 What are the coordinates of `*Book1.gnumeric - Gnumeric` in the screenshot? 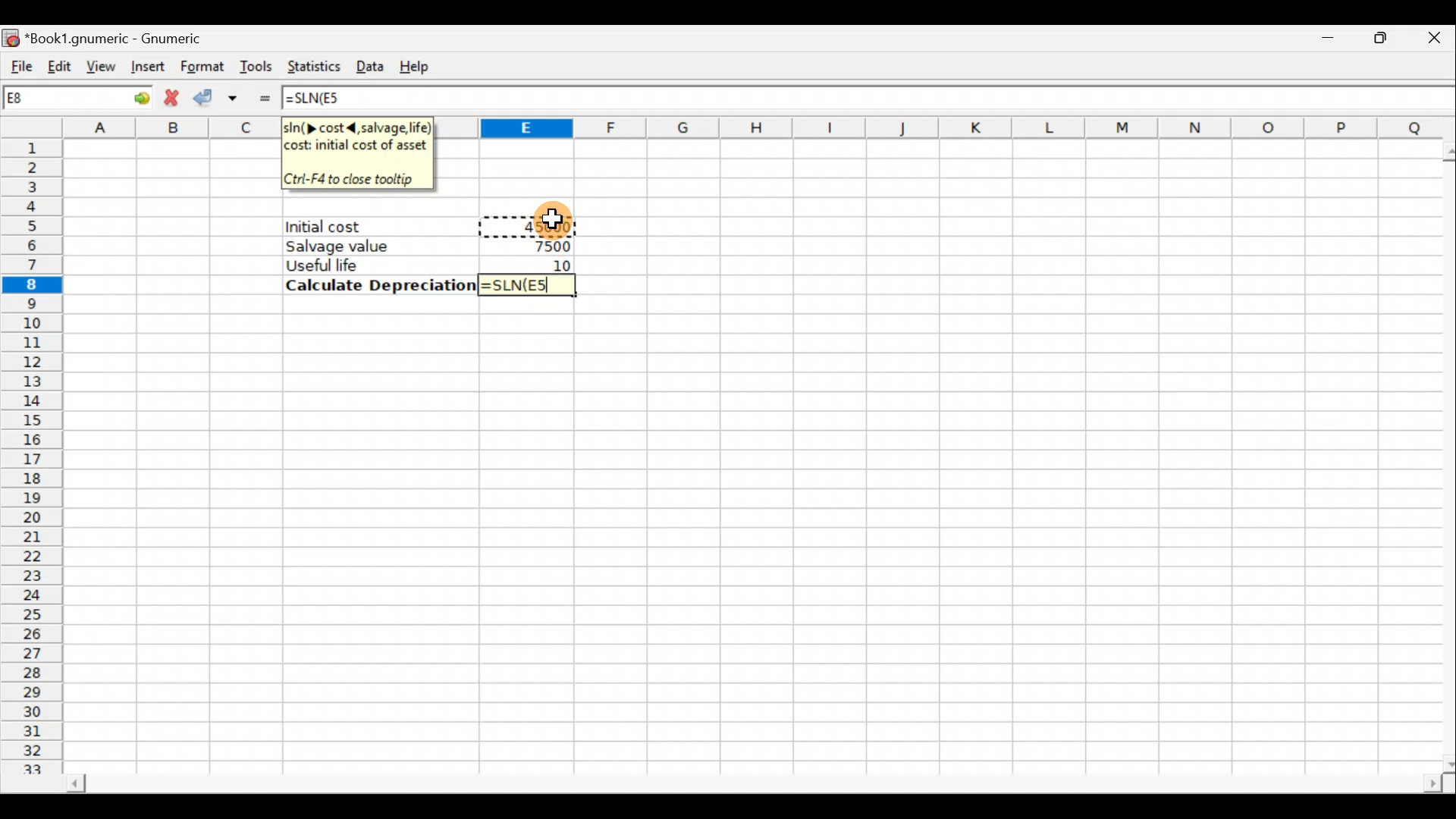 It's located at (133, 38).